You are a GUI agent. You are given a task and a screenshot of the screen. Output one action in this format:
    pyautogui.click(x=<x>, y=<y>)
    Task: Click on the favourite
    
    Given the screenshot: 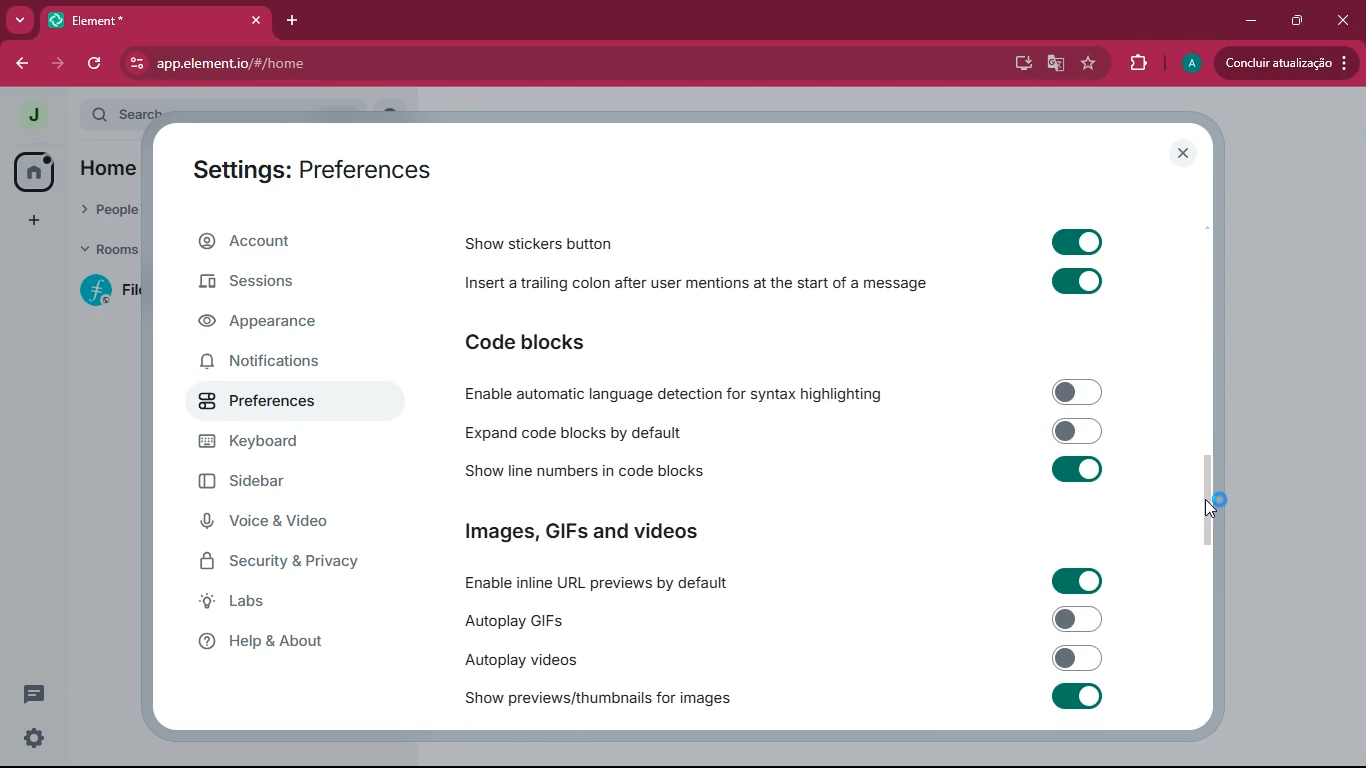 What is the action you would take?
    pyautogui.click(x=1087, y=64)
    